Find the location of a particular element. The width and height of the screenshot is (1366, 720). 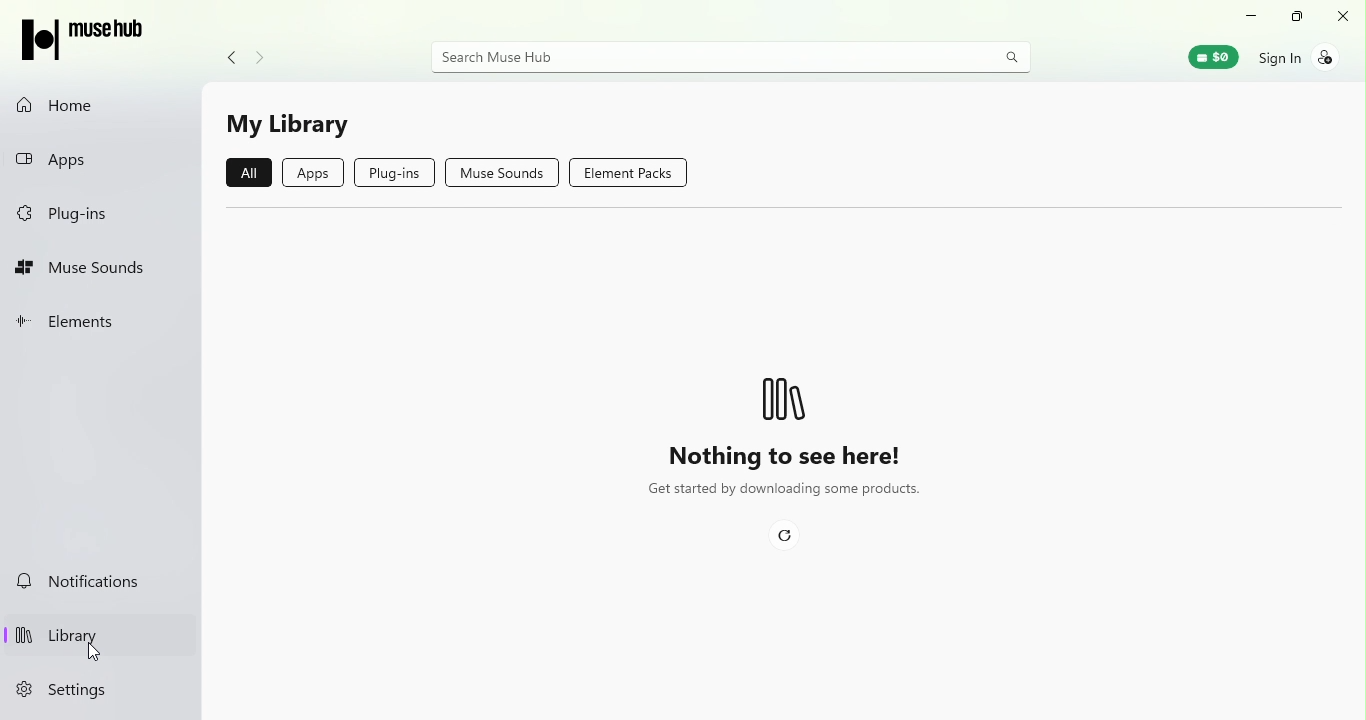

Notifications is located at coordinates (100, 582).